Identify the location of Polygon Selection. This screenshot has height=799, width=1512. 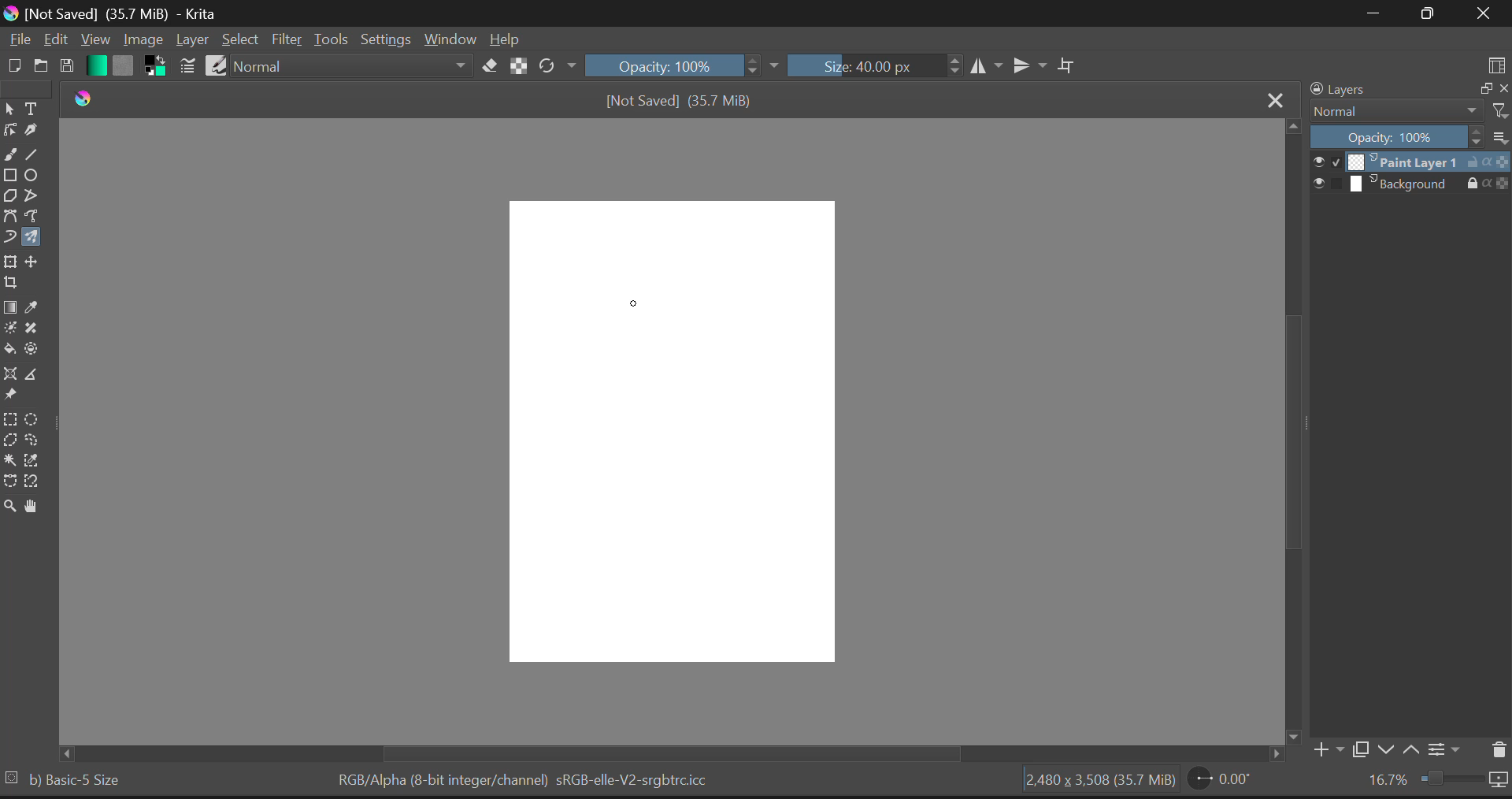
(10, 440).